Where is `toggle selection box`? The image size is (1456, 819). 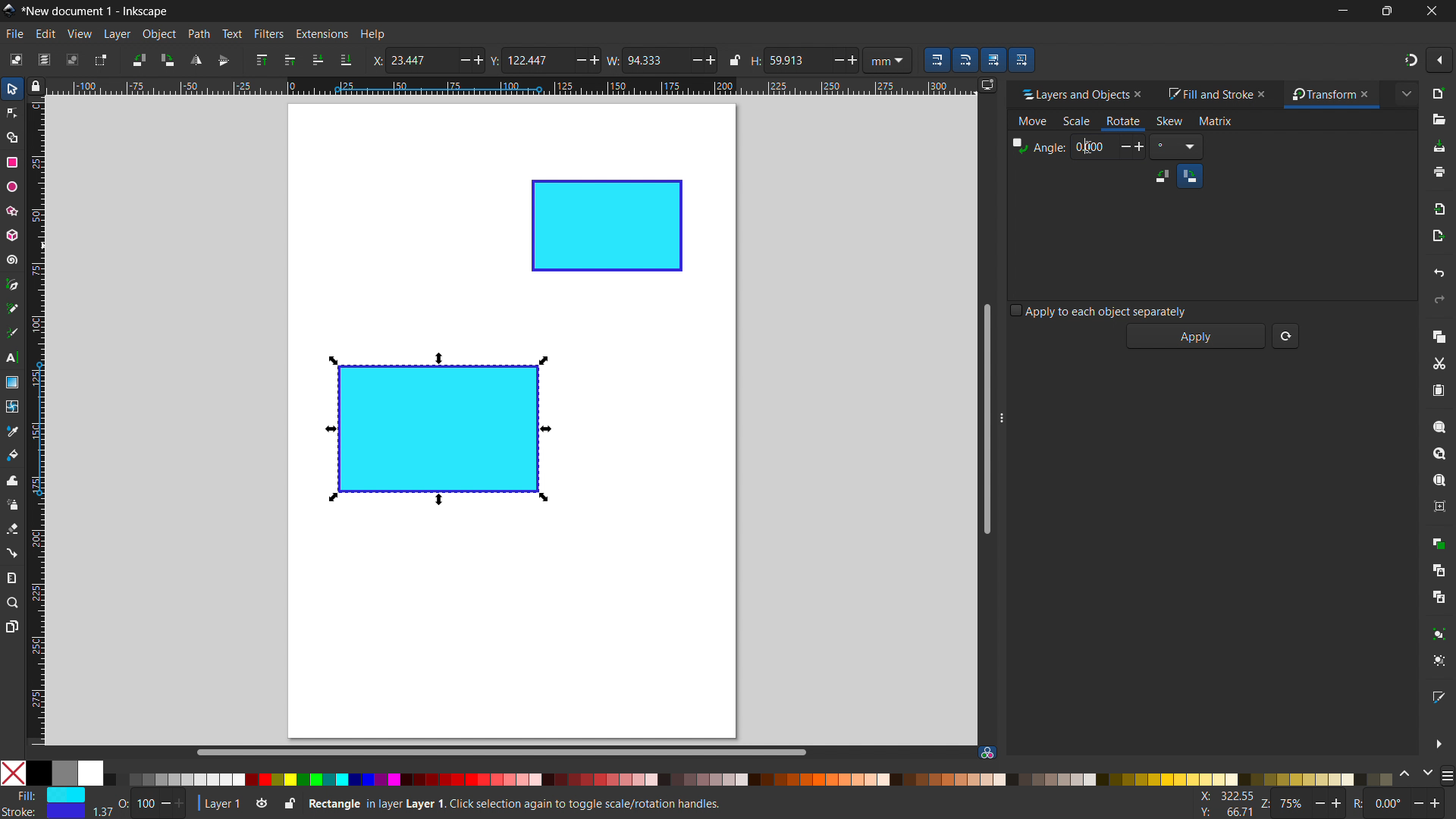 toggle selection box is located at coordinates (99, 61).